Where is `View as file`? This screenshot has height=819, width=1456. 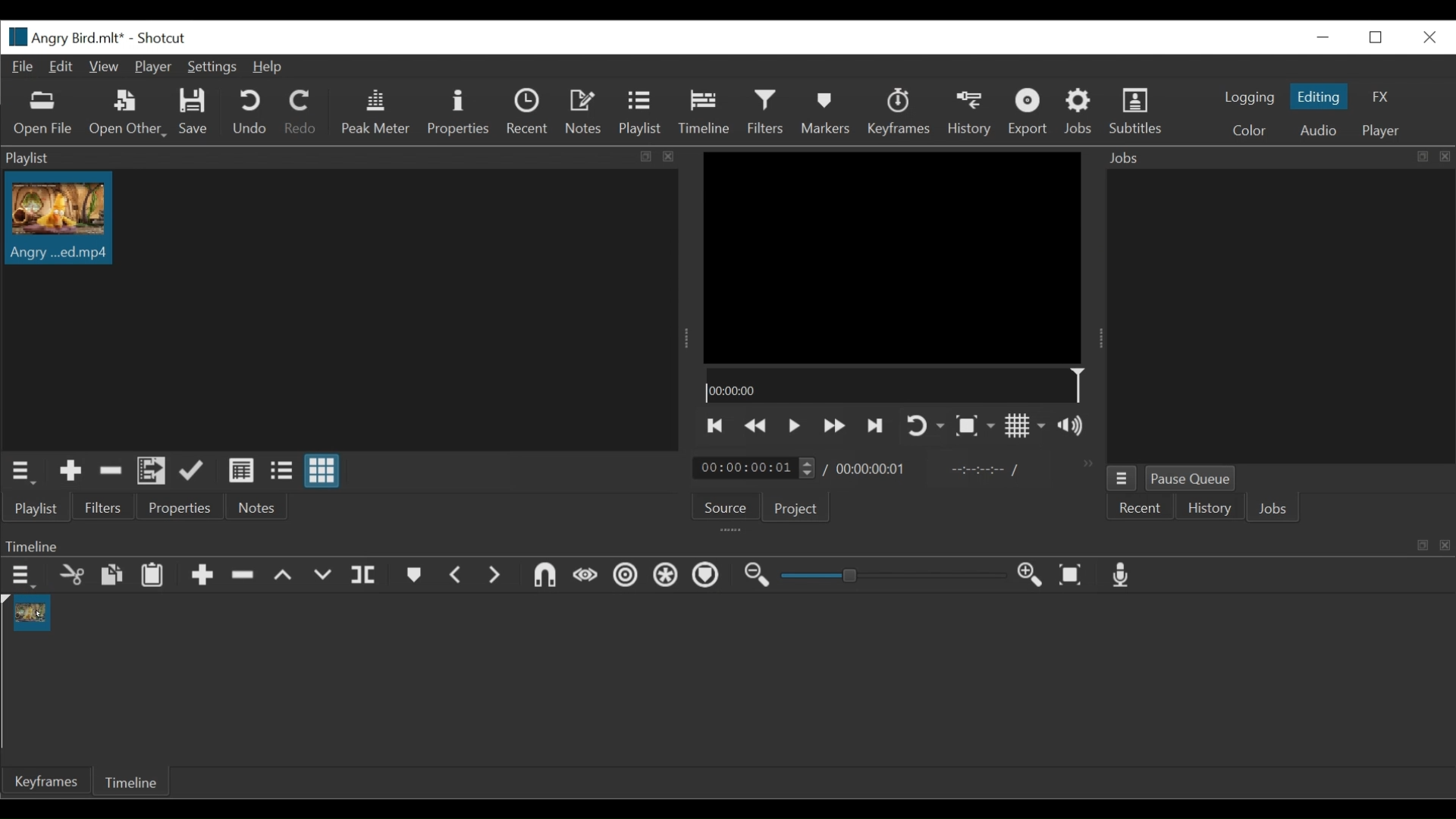
View as file is located at coordinates (281, 471).